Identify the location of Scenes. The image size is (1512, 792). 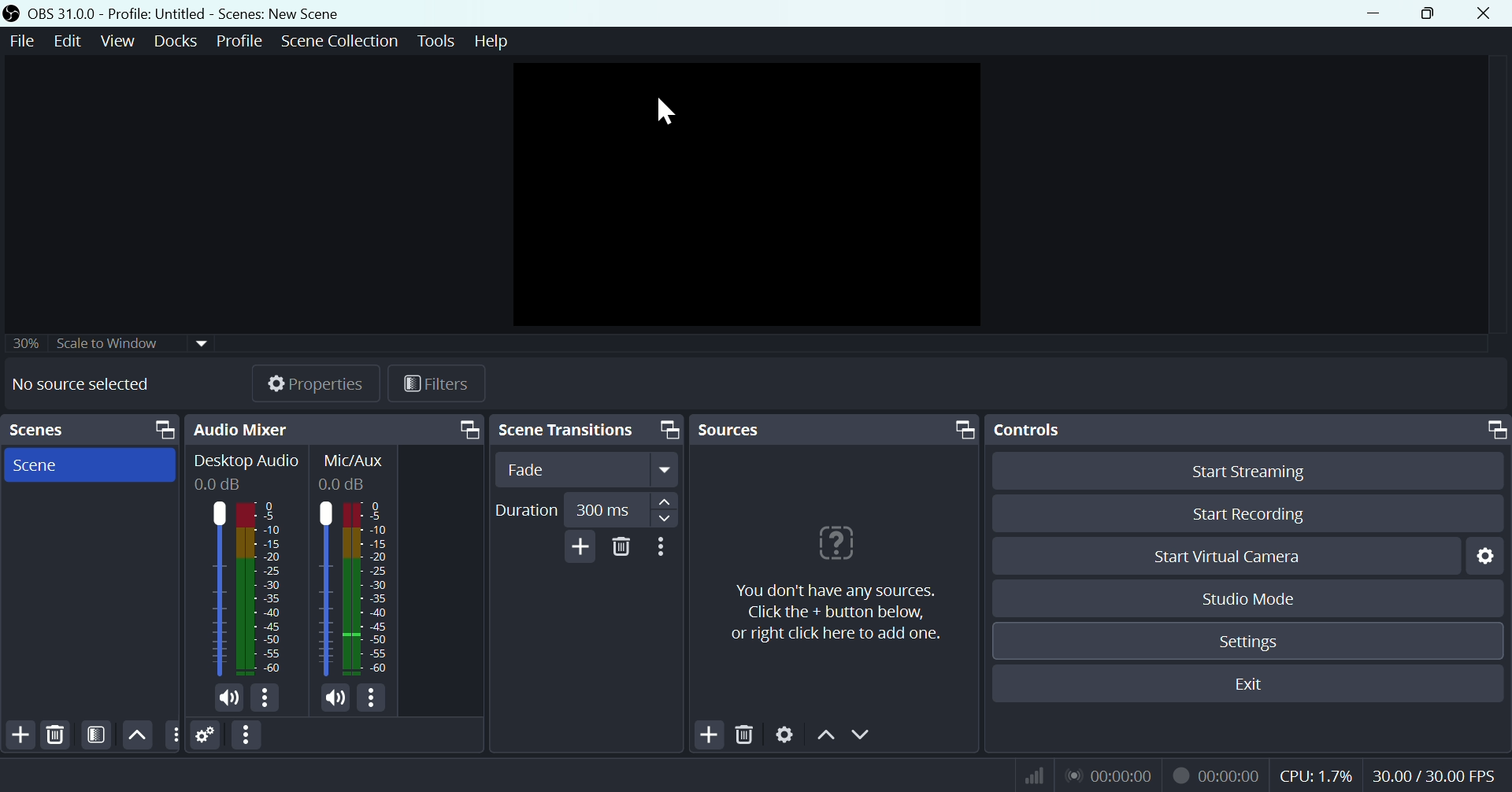
(89, 463).